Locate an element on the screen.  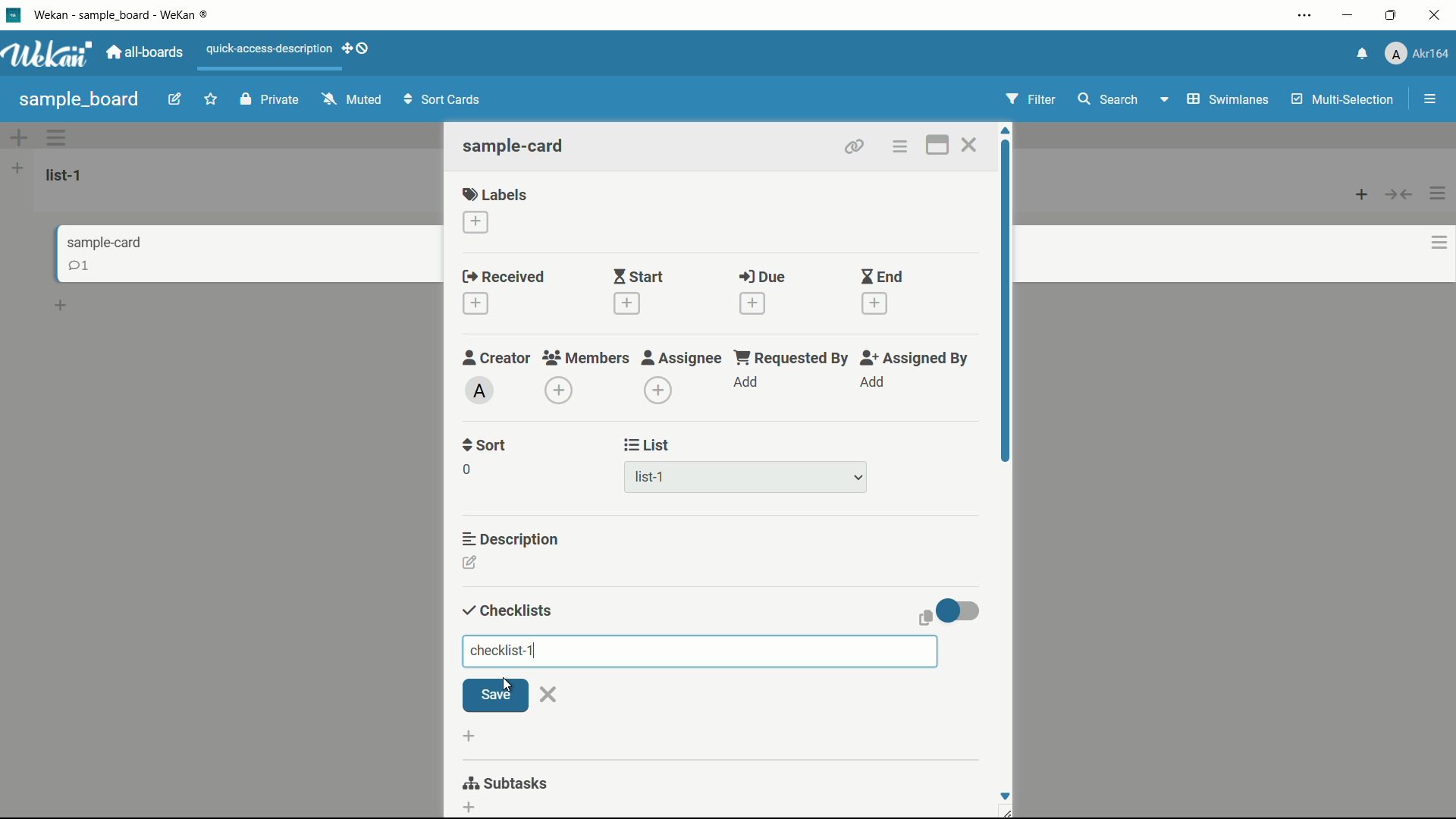
add is located at coordinates (1357, 196).